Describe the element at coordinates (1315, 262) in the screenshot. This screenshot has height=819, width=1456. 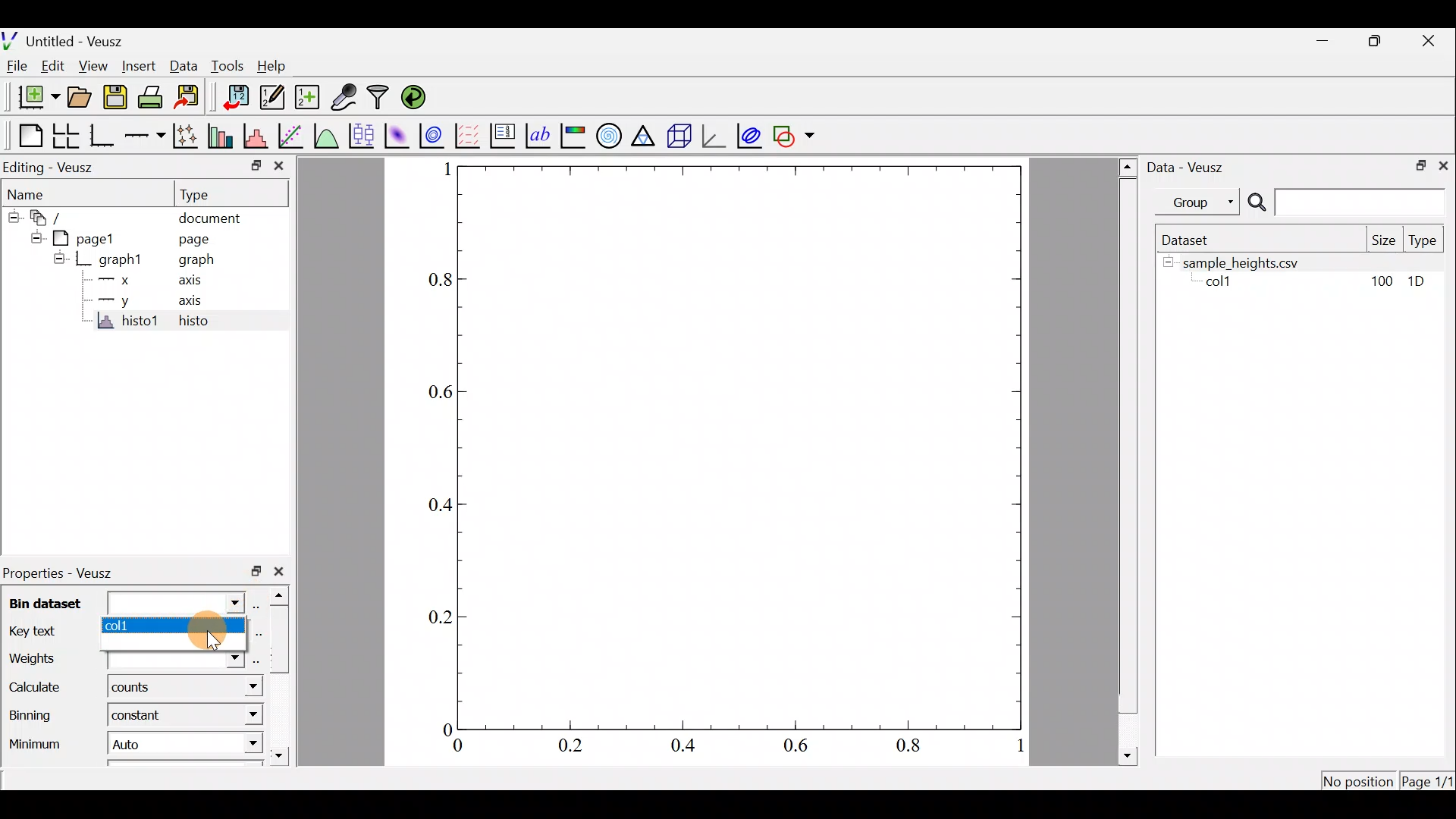
I see `sample heights.csv` at that location.